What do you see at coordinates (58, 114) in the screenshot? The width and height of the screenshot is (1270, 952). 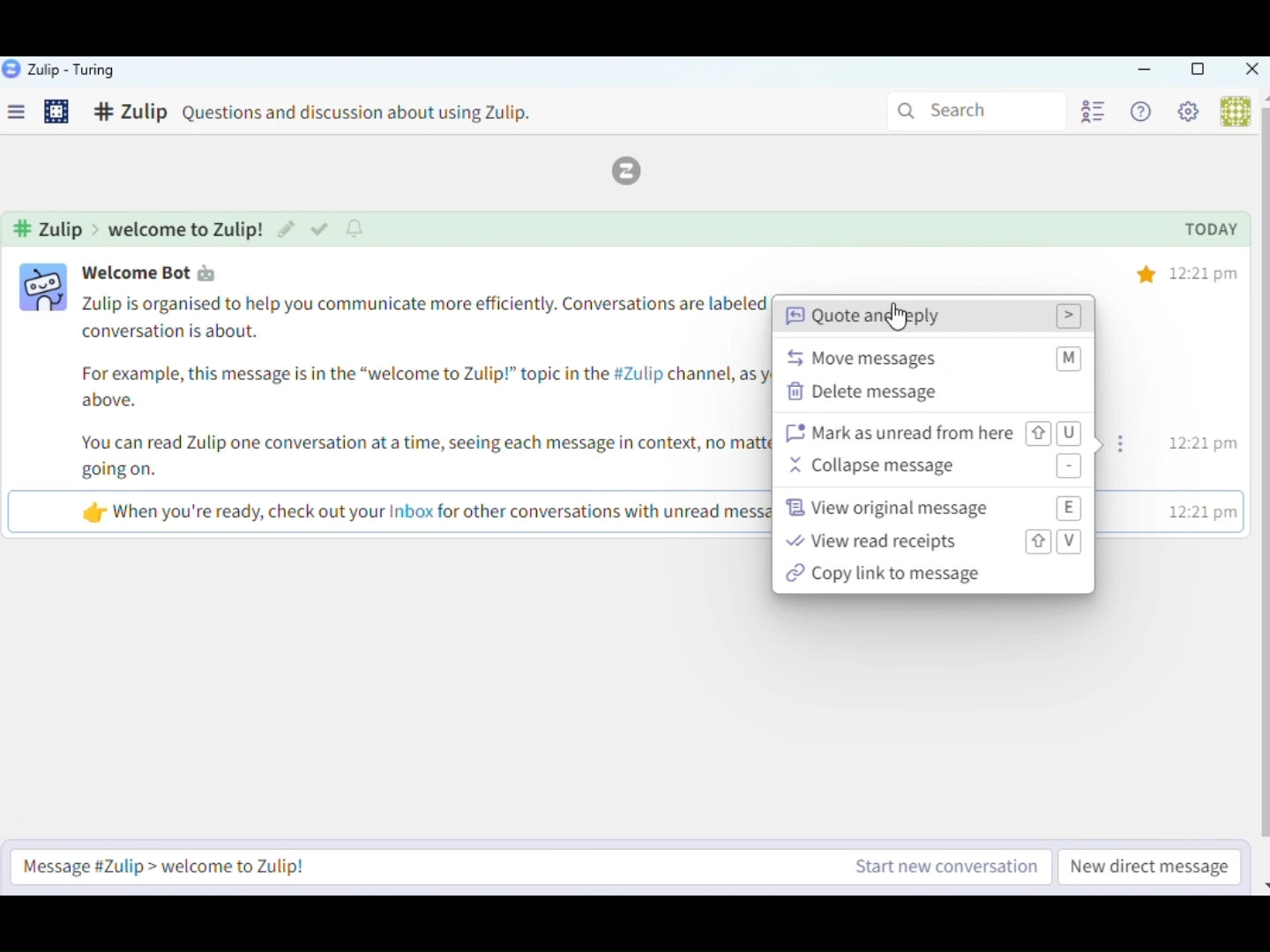 I see `Settings` at bounding box center [58, 114].